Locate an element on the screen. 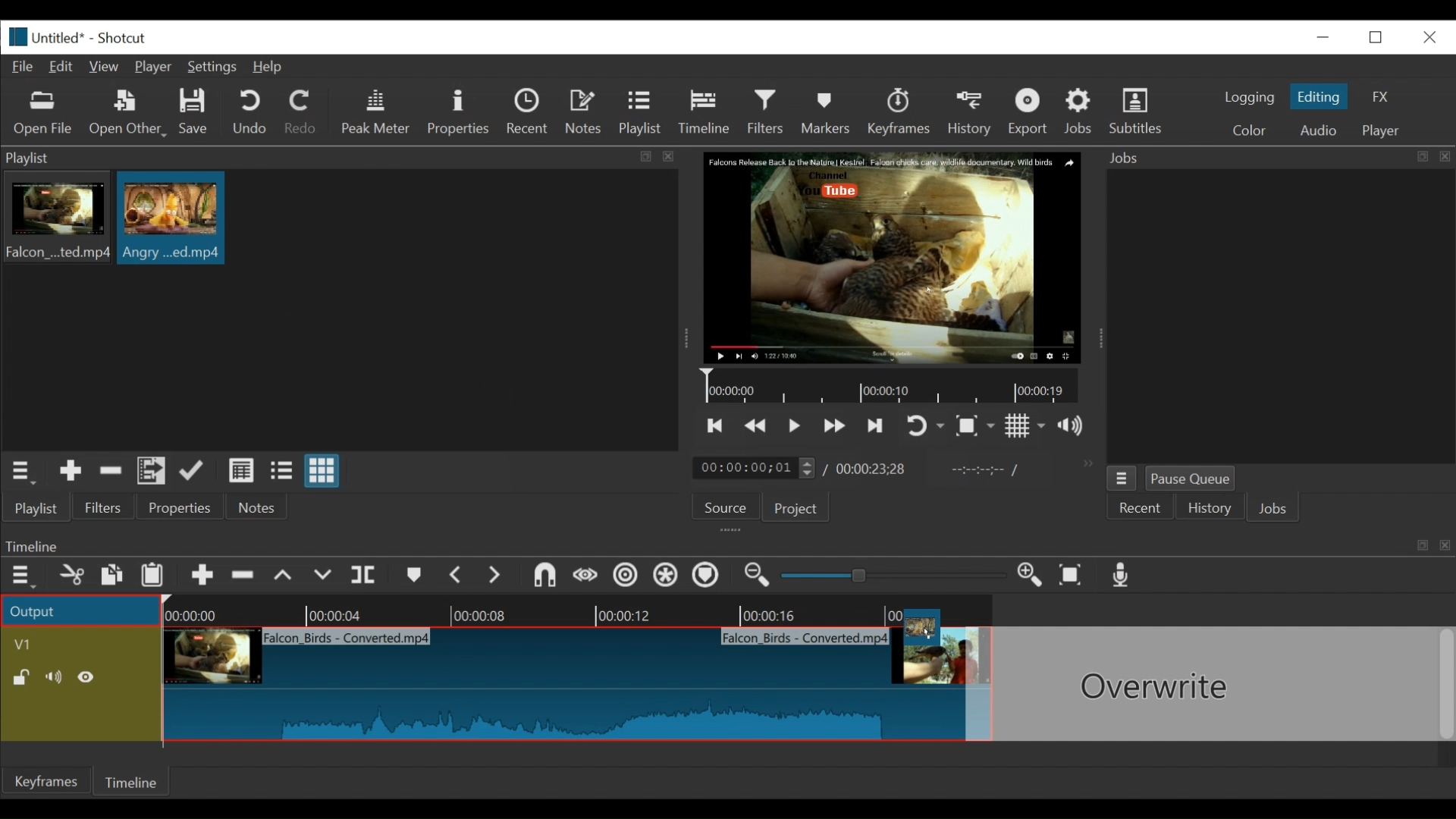 This screenshot has width=1456, height=819. Help is located at coordinates (268, 67).